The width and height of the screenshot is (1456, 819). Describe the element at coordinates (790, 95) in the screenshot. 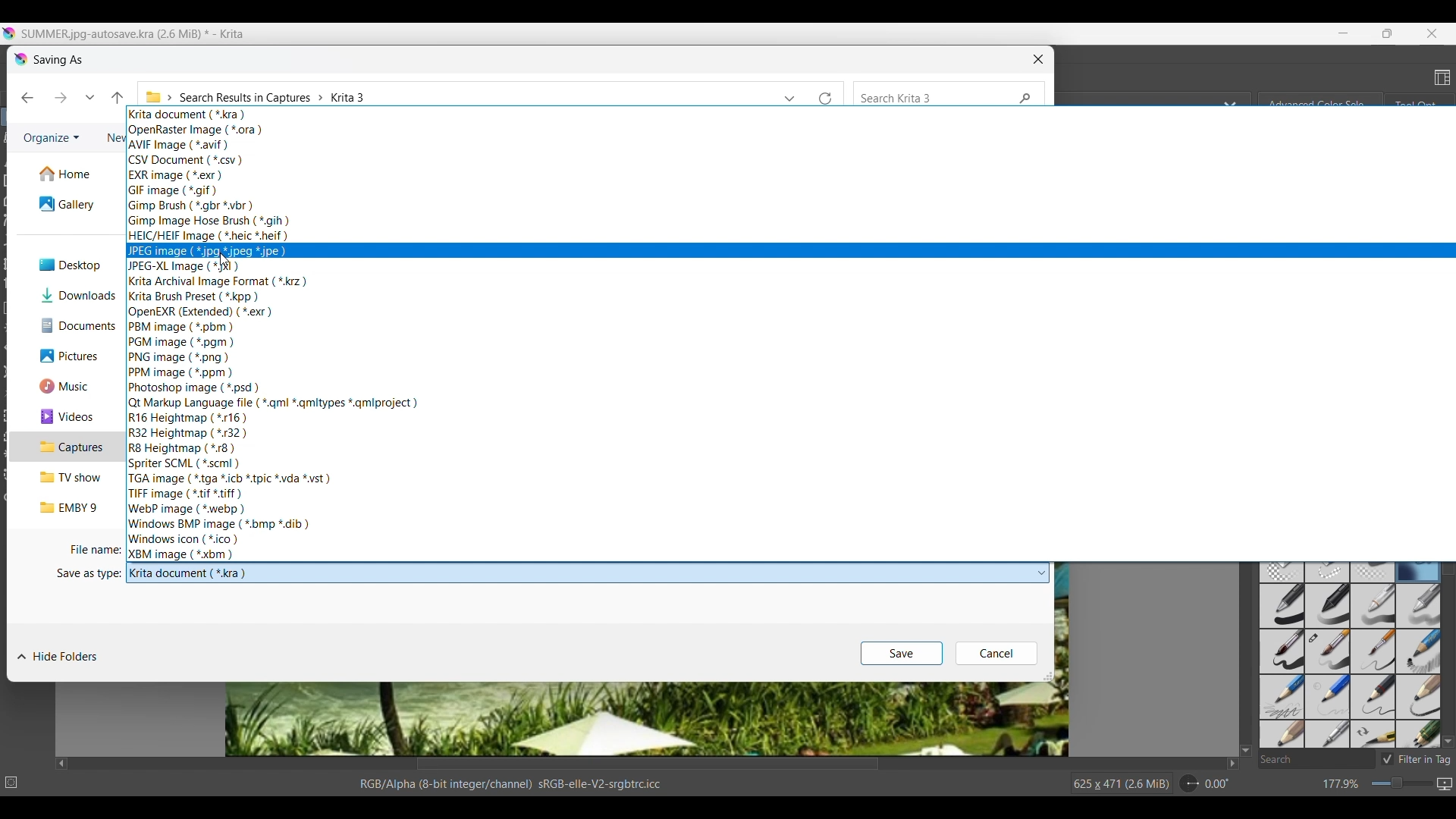

I see `List current folders` at that location.